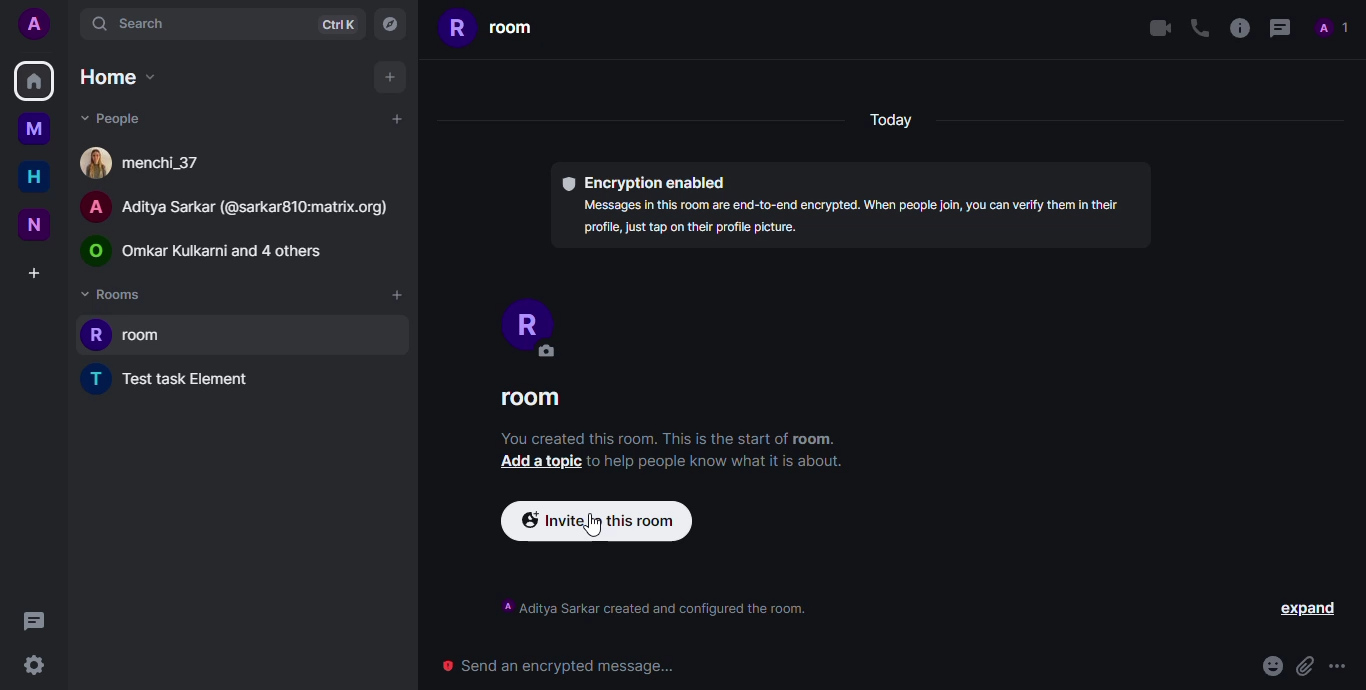 This screenshot has width=1366, height=690. I want to click on Rooms, so click(115, 294).